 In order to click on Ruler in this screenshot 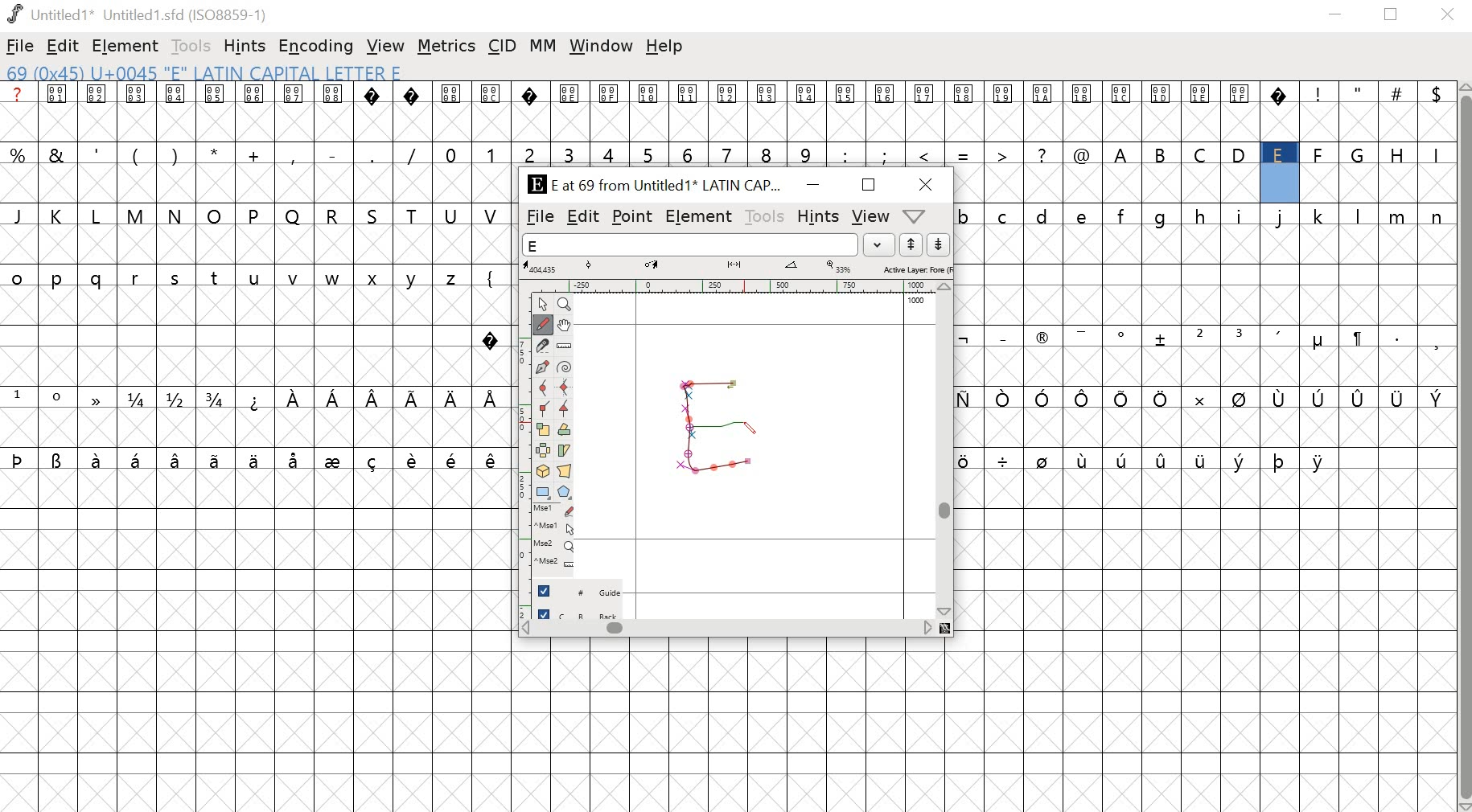, I will do `click(565, 345)`.